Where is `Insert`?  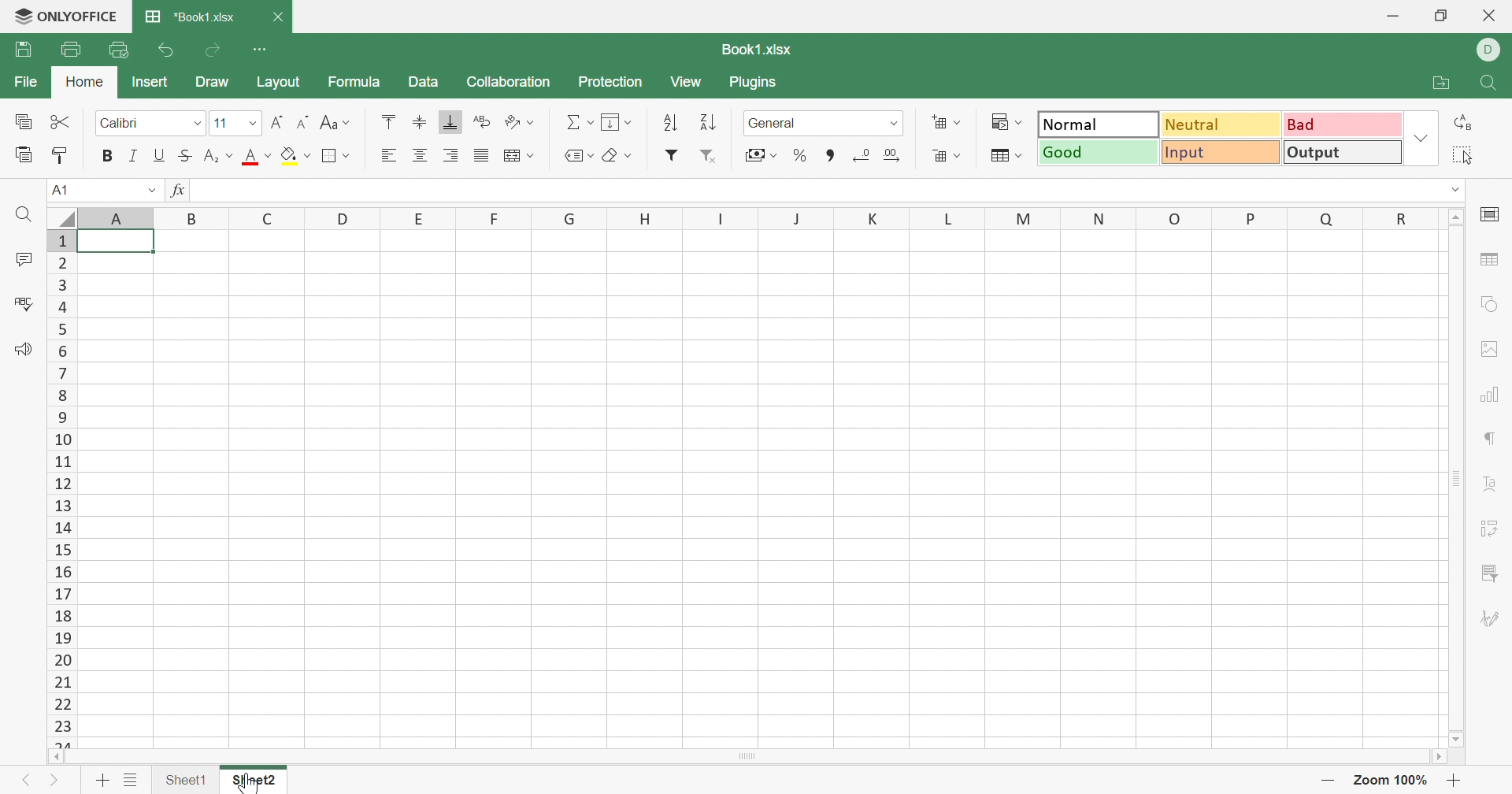 Insert is located at coordinates (149, 80).